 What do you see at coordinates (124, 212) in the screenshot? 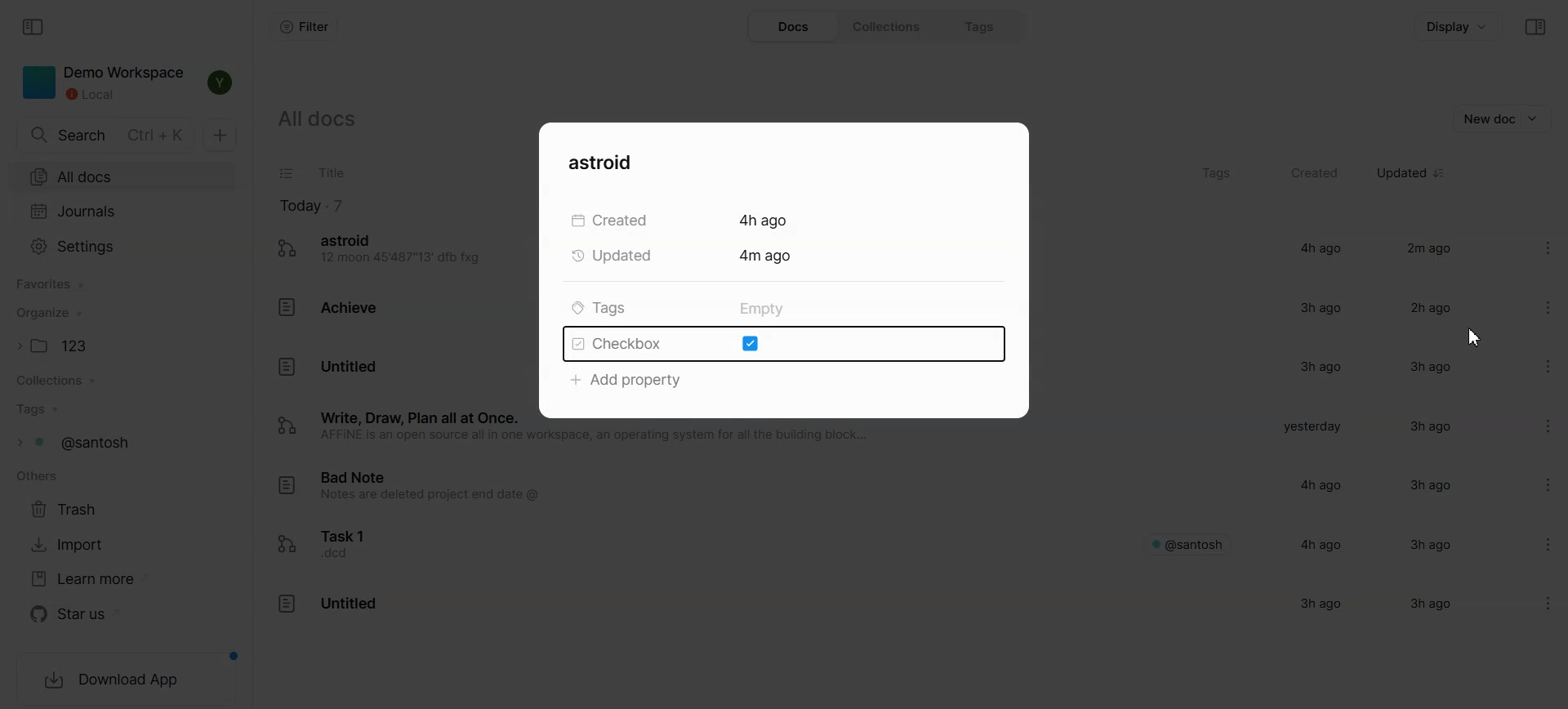
I see `Journals` at bounding box center [124, 212].